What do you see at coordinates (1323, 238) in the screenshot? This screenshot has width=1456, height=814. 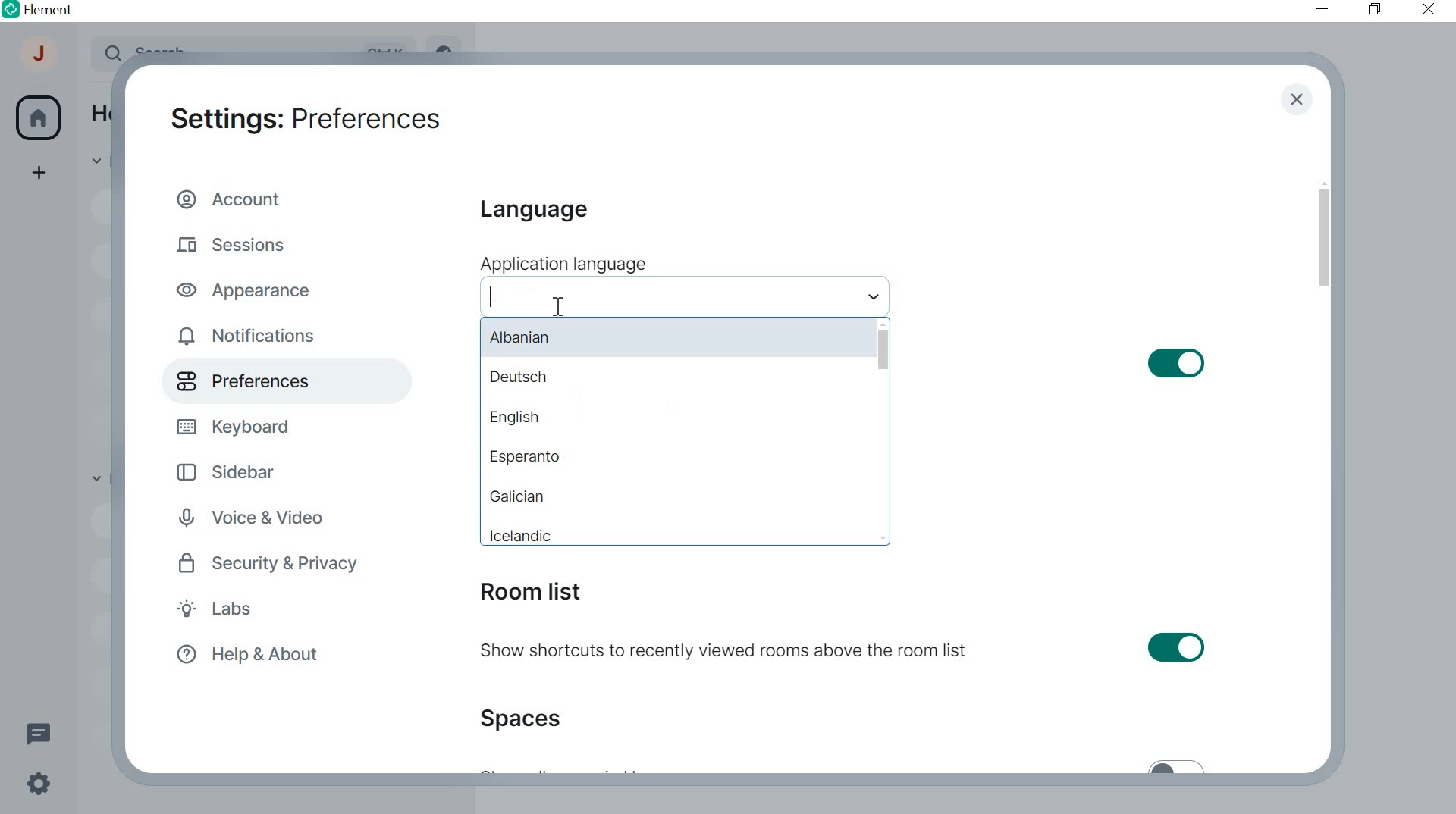 I see `vertical scrollbar` at bounding box center [1323, 238].